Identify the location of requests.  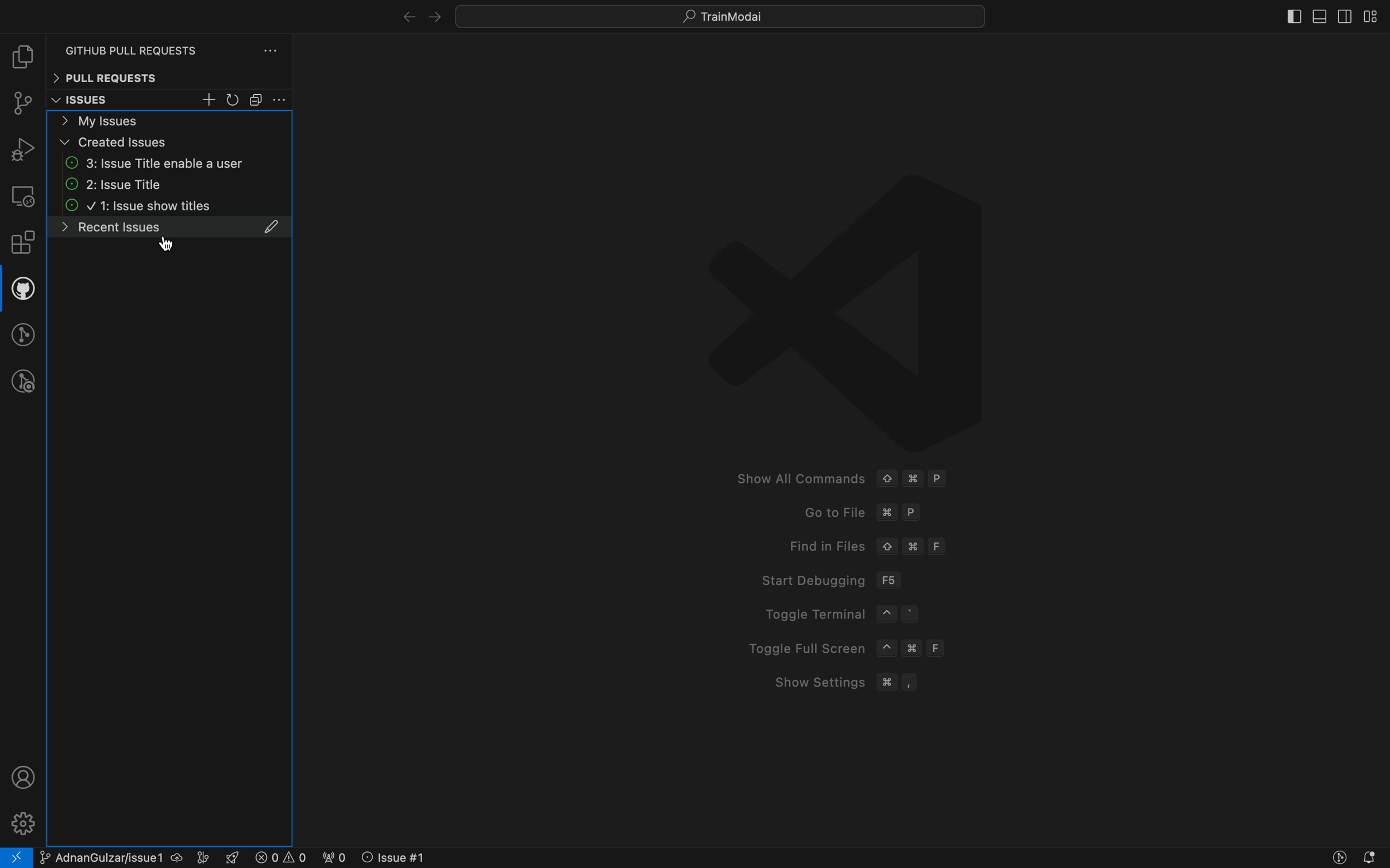
(174, 44).